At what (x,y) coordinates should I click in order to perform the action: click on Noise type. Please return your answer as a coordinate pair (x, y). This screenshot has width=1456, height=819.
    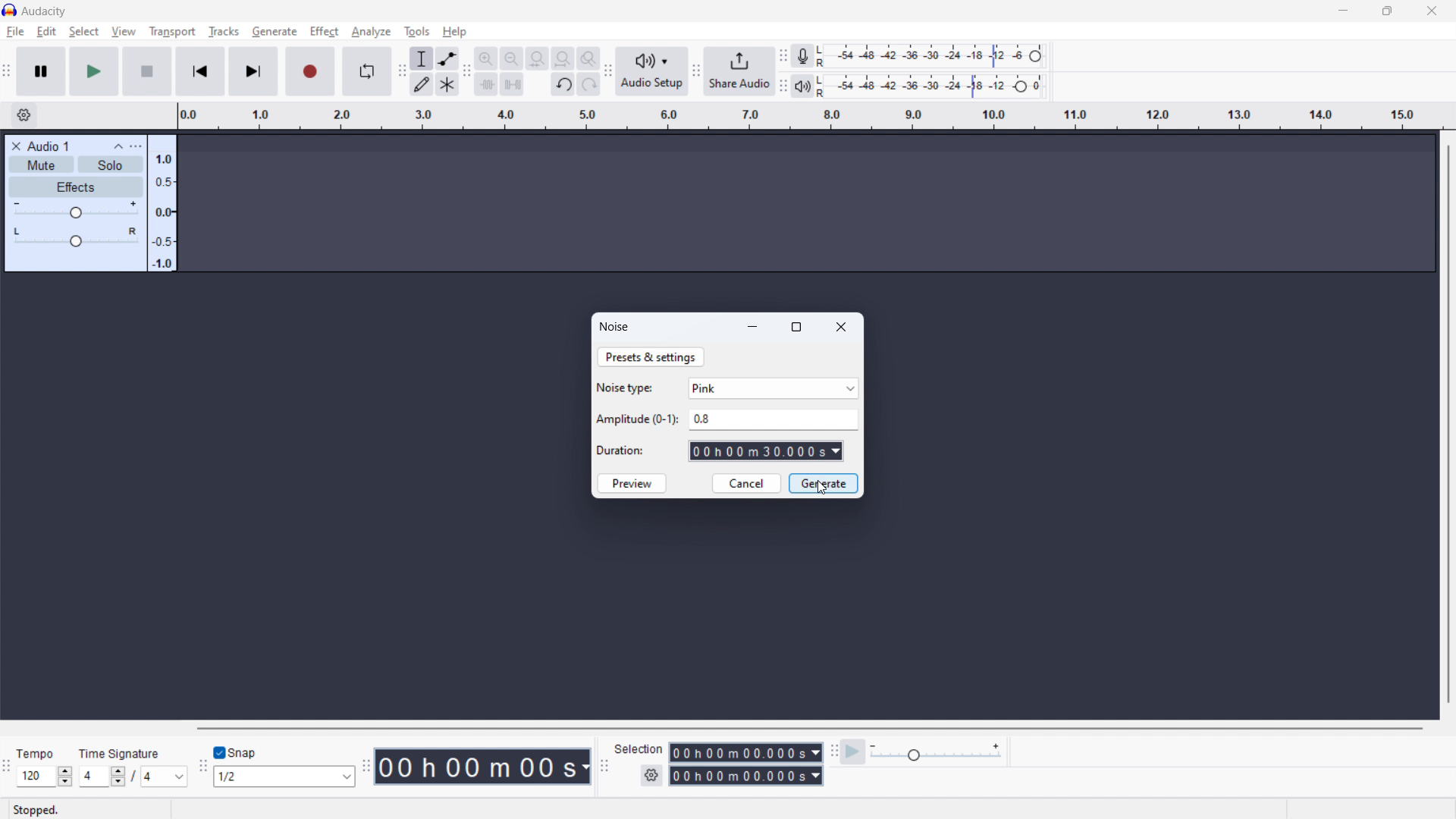
    Looking at the image, I should click on (627, 388).